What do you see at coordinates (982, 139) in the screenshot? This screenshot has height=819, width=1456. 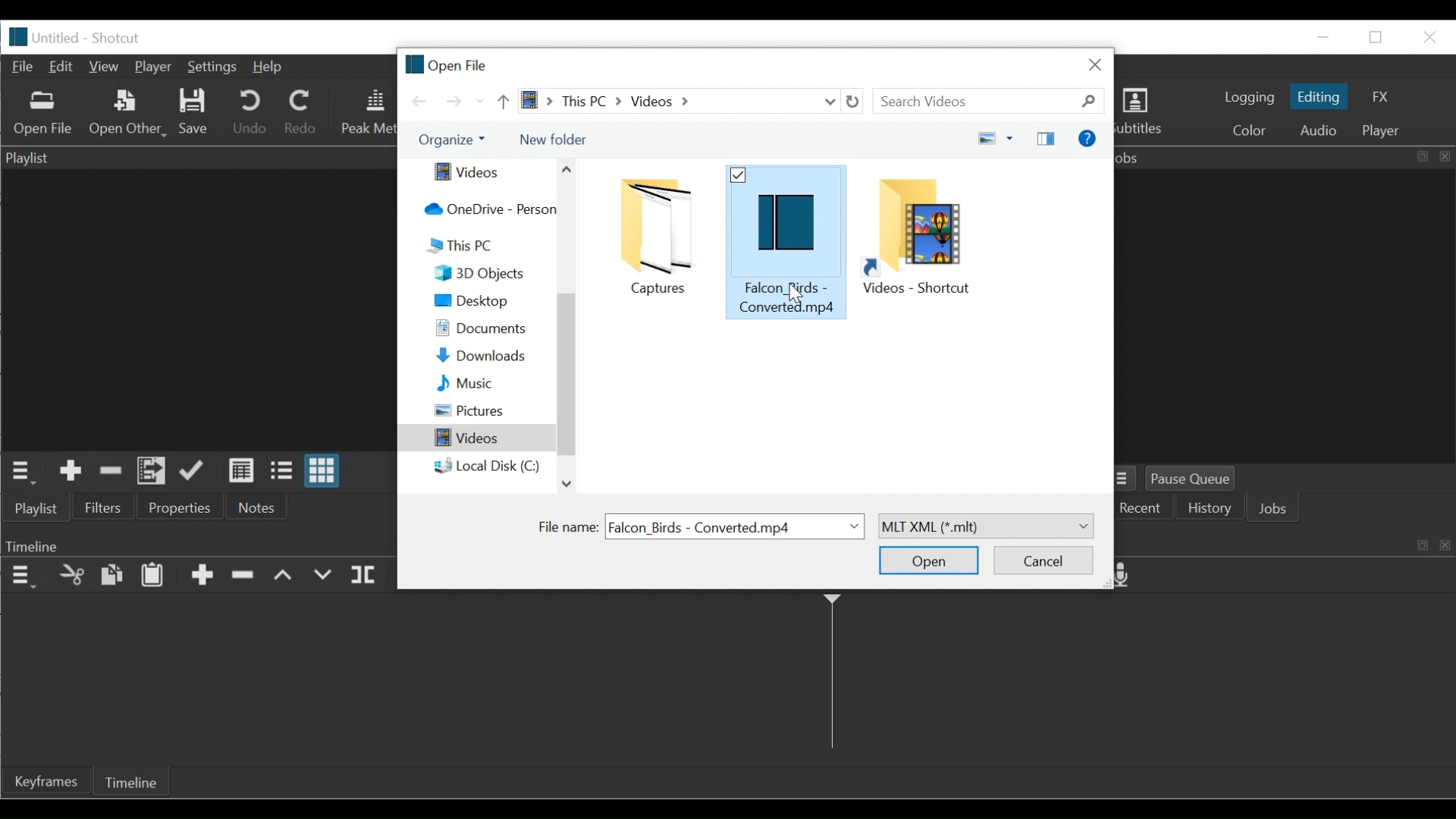 I see `change your view` at bounding box center [982, 139].